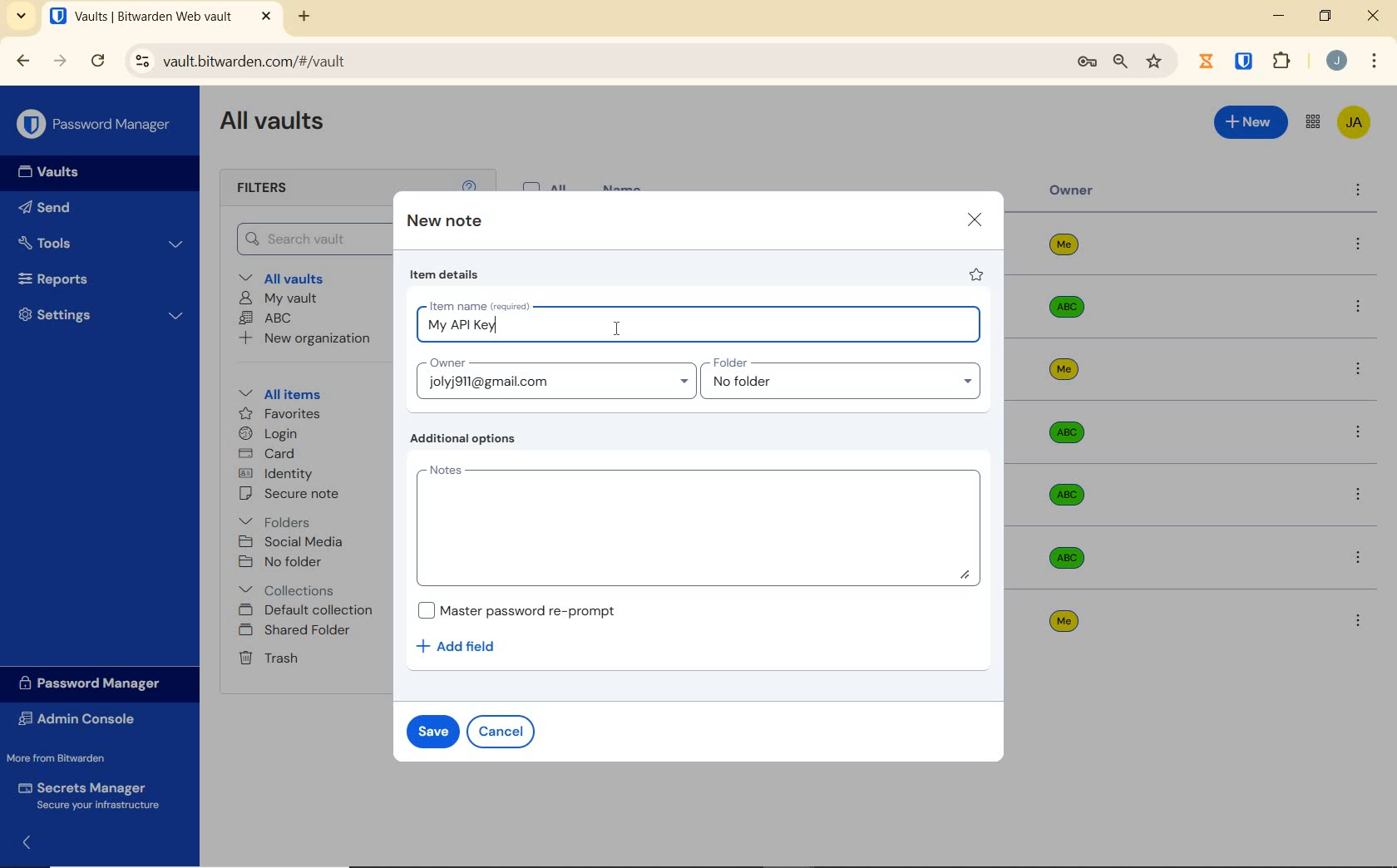 The height and width of the screenshot is (868, 1397). Describe the element at coordinates (57, 174) in the screenshot. I see `Vaults` at that location.